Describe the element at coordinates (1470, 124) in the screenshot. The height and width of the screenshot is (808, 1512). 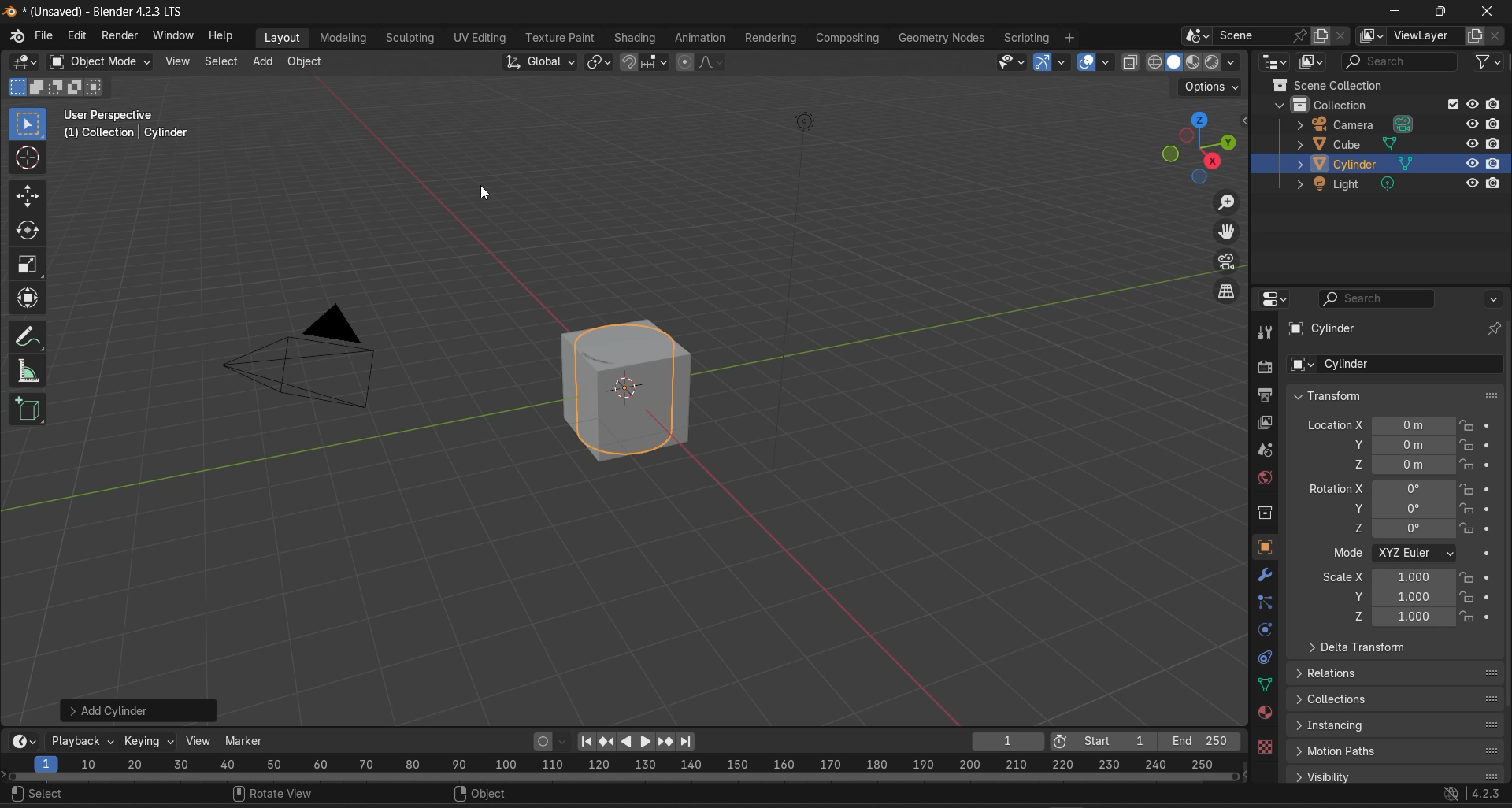
I see `hide in viewport` at that location.